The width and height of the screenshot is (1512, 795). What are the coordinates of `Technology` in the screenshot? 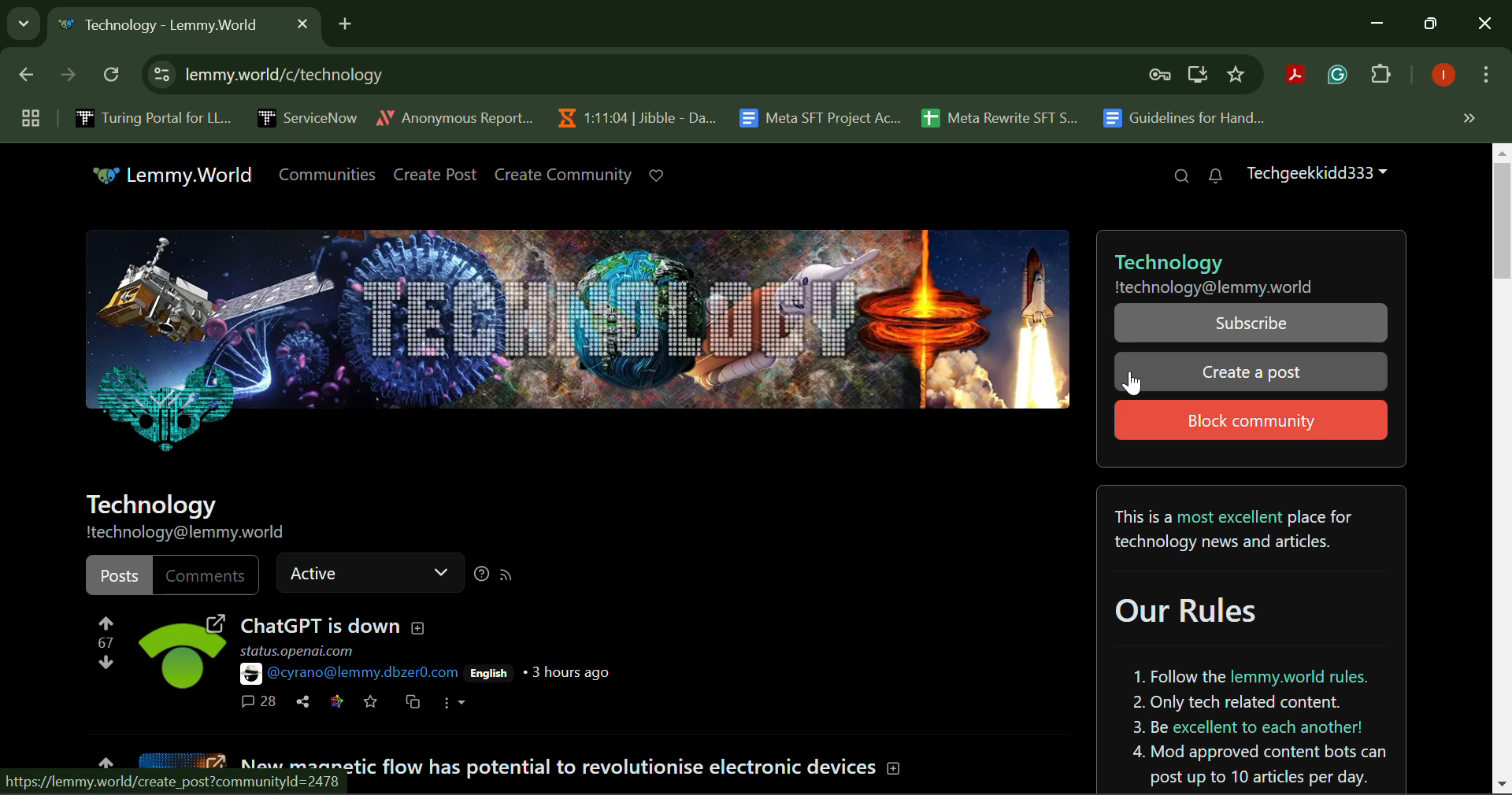 It's located at (1171, 263).